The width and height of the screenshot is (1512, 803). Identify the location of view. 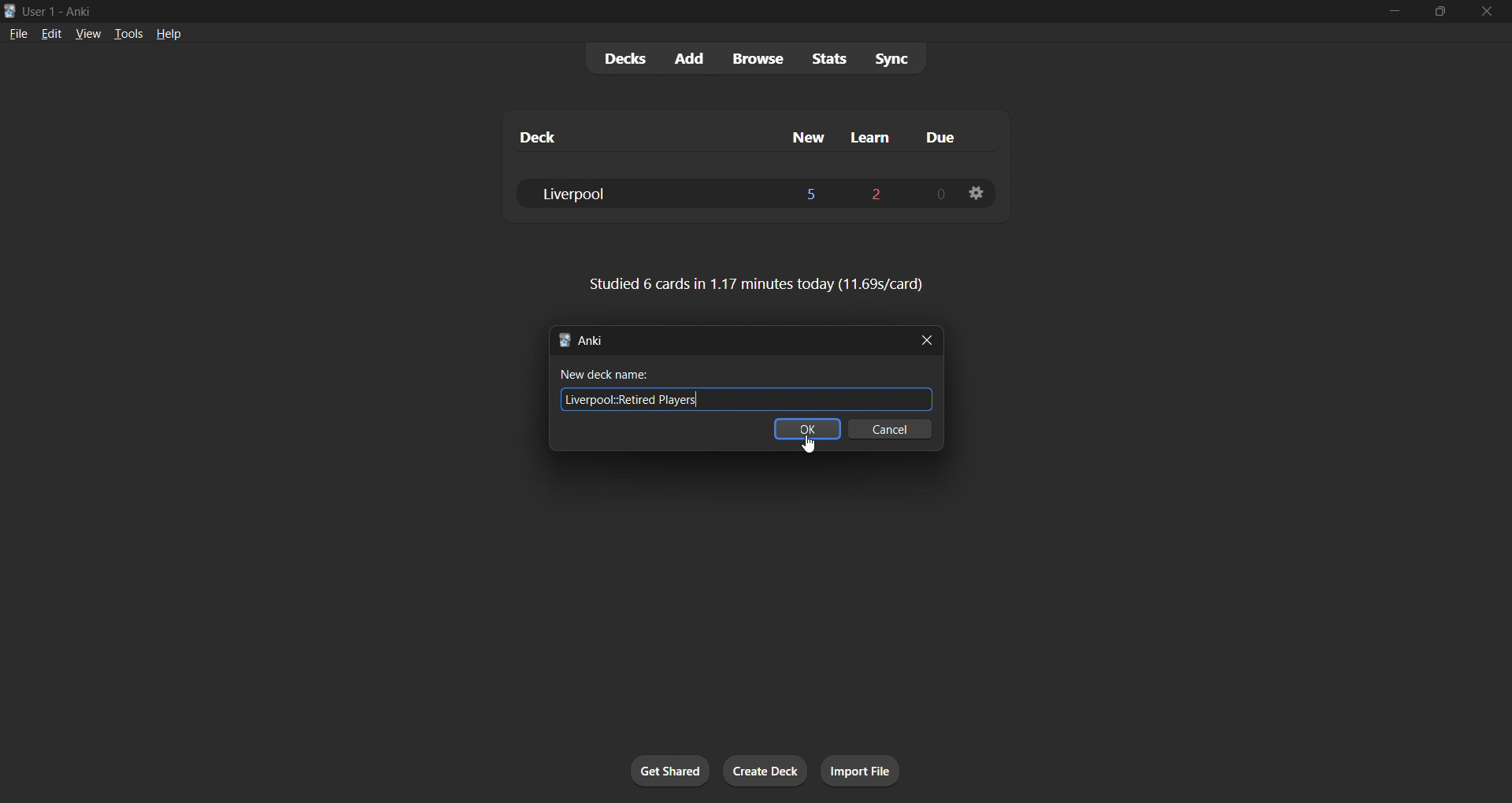
(87, 35).